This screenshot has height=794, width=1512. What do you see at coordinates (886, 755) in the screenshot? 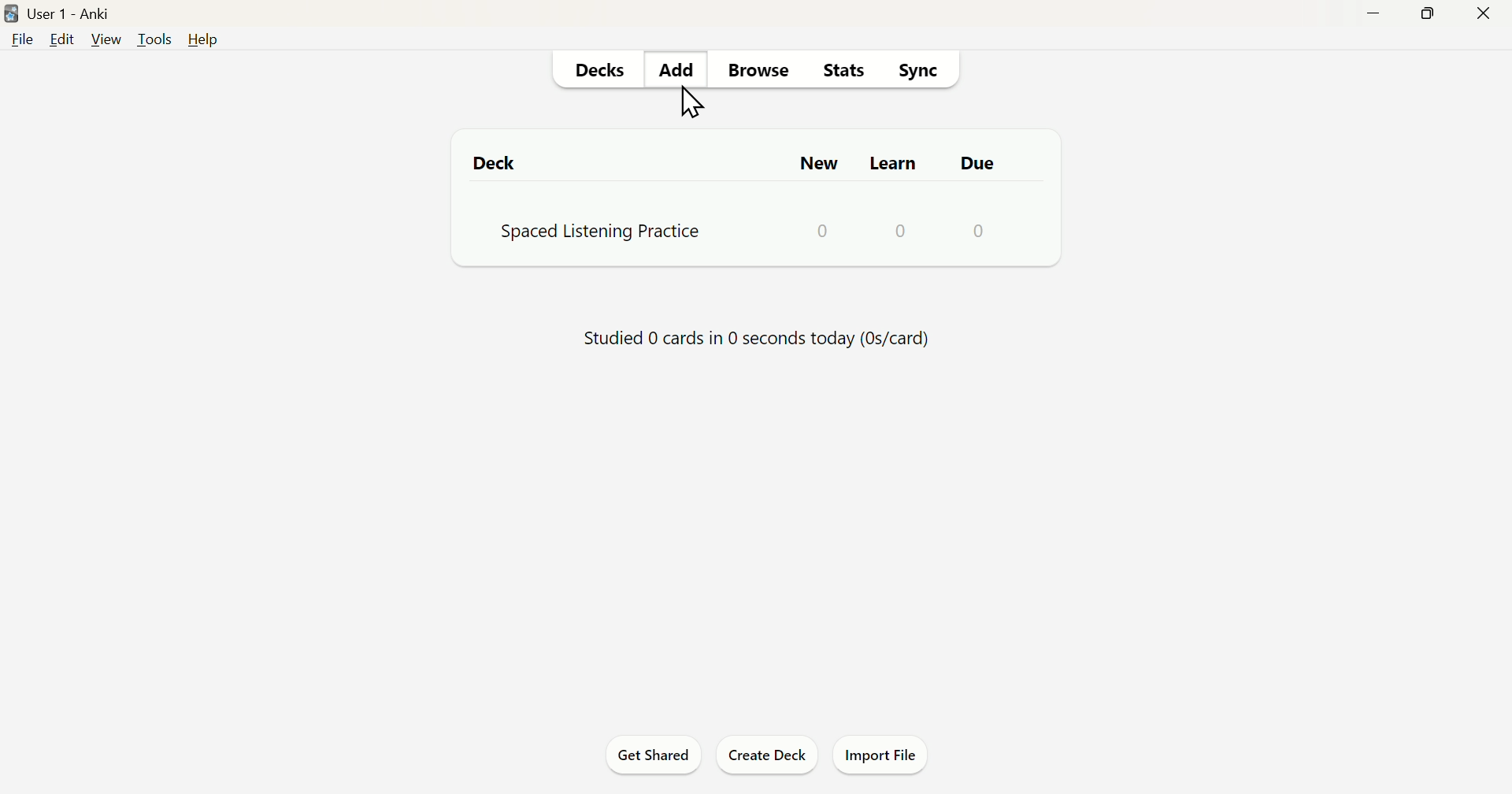
I see `Import File` at bounding box center [886, 755].